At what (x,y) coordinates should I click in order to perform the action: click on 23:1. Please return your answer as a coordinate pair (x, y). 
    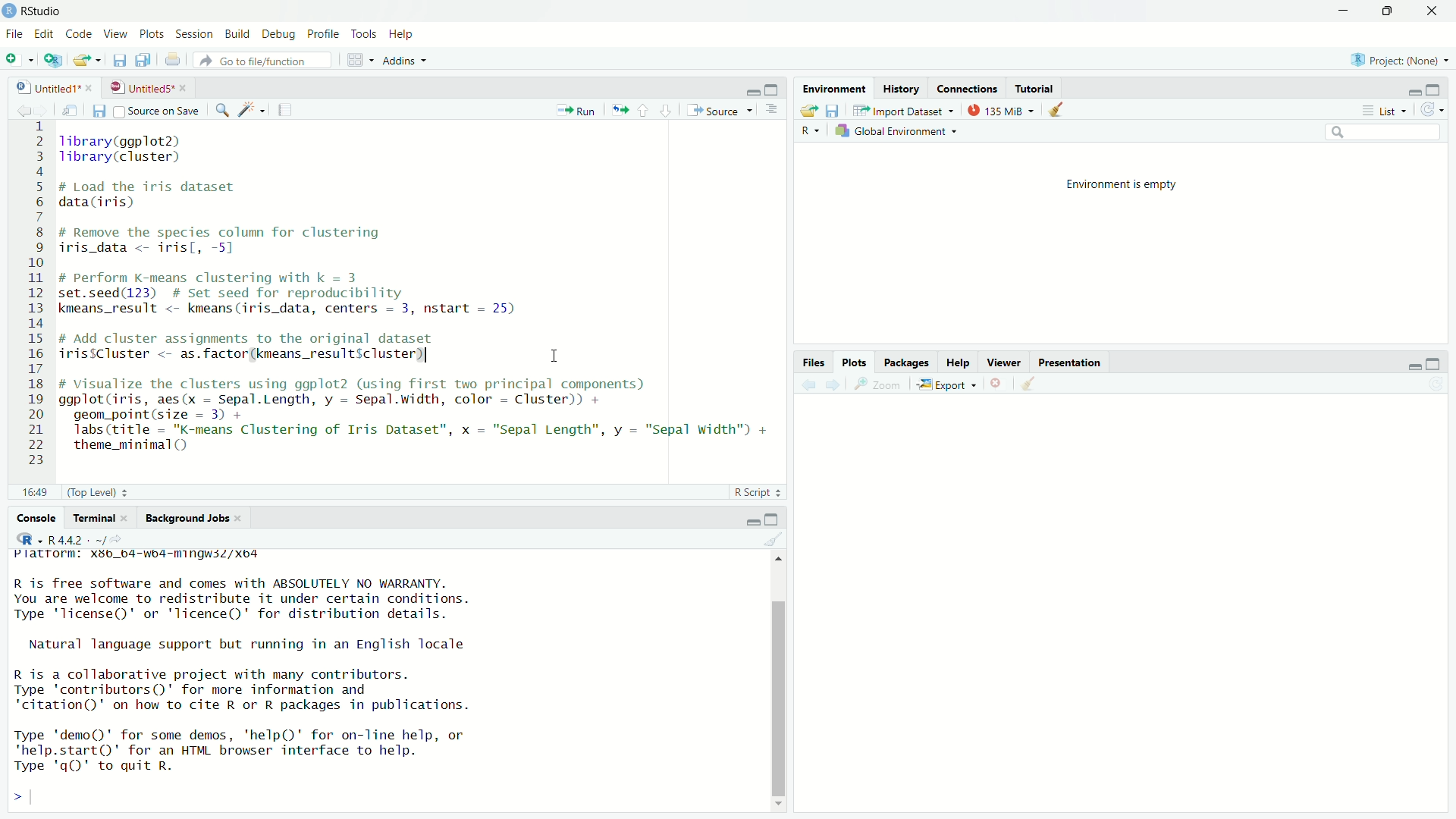
    Looking at the image, I should click on (27, 490).